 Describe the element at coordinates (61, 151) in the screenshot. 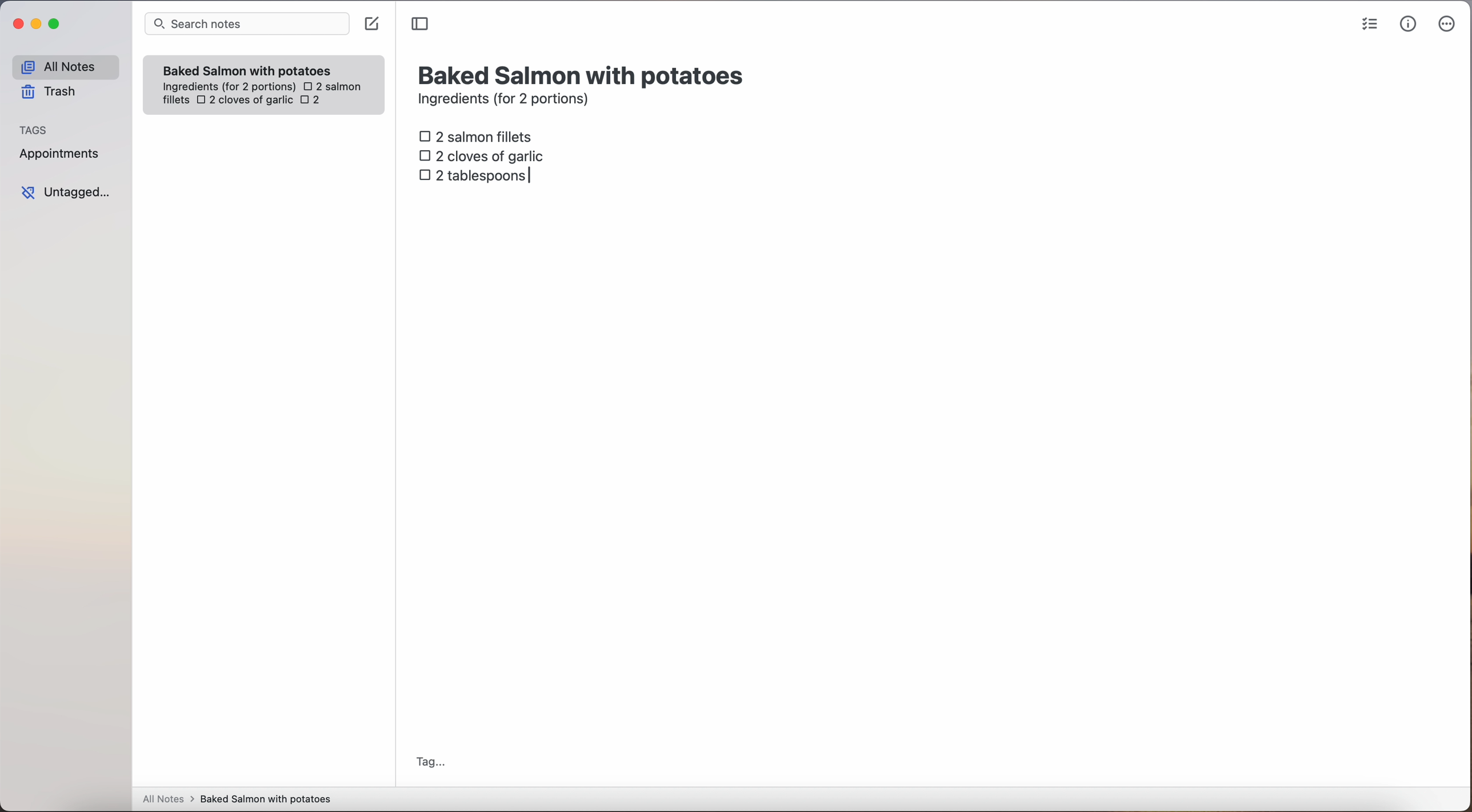

I see `appointments tag` at that location.